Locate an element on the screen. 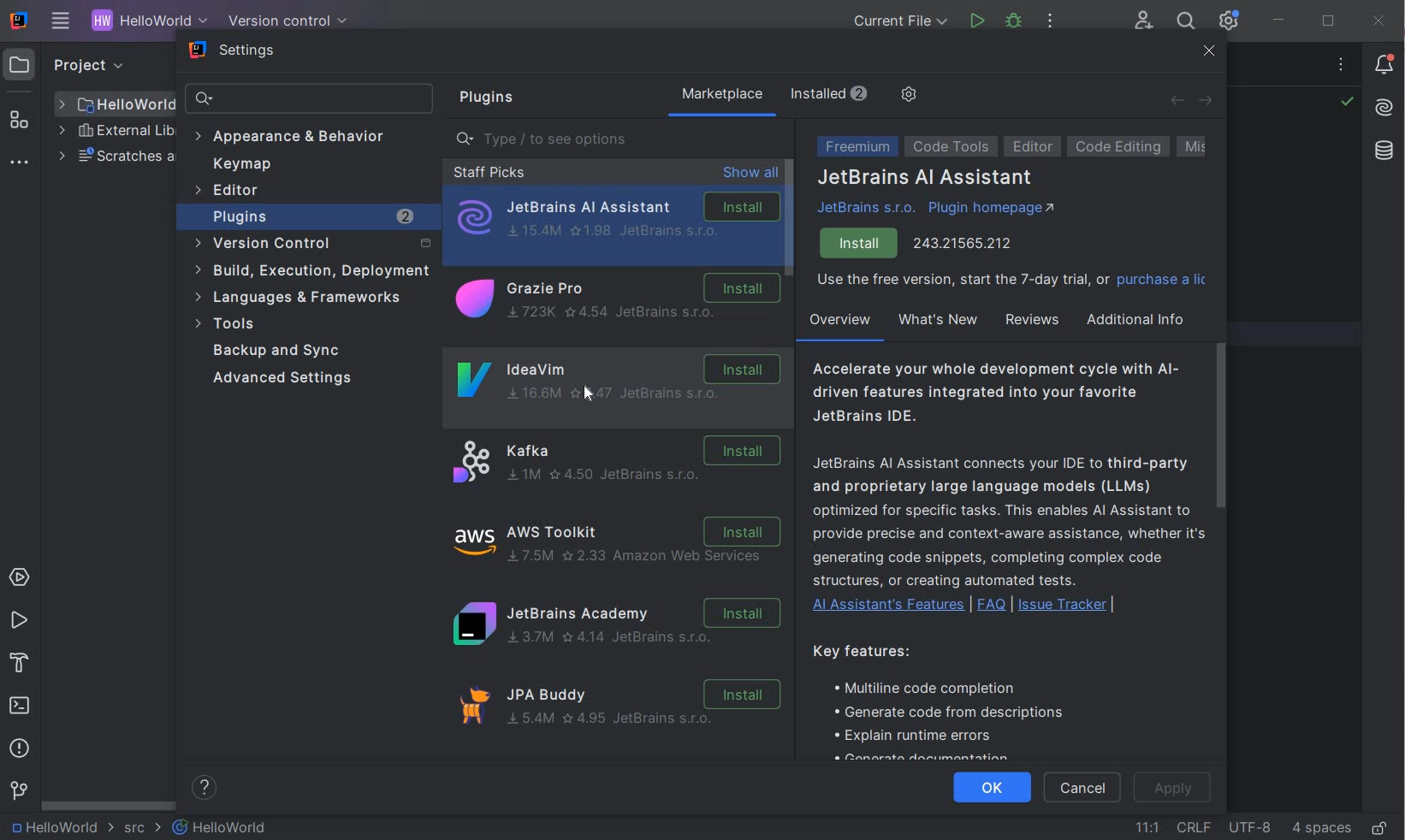 The image size is (1405, 840). CURRENT FILE is located at coordinates (900, 23).